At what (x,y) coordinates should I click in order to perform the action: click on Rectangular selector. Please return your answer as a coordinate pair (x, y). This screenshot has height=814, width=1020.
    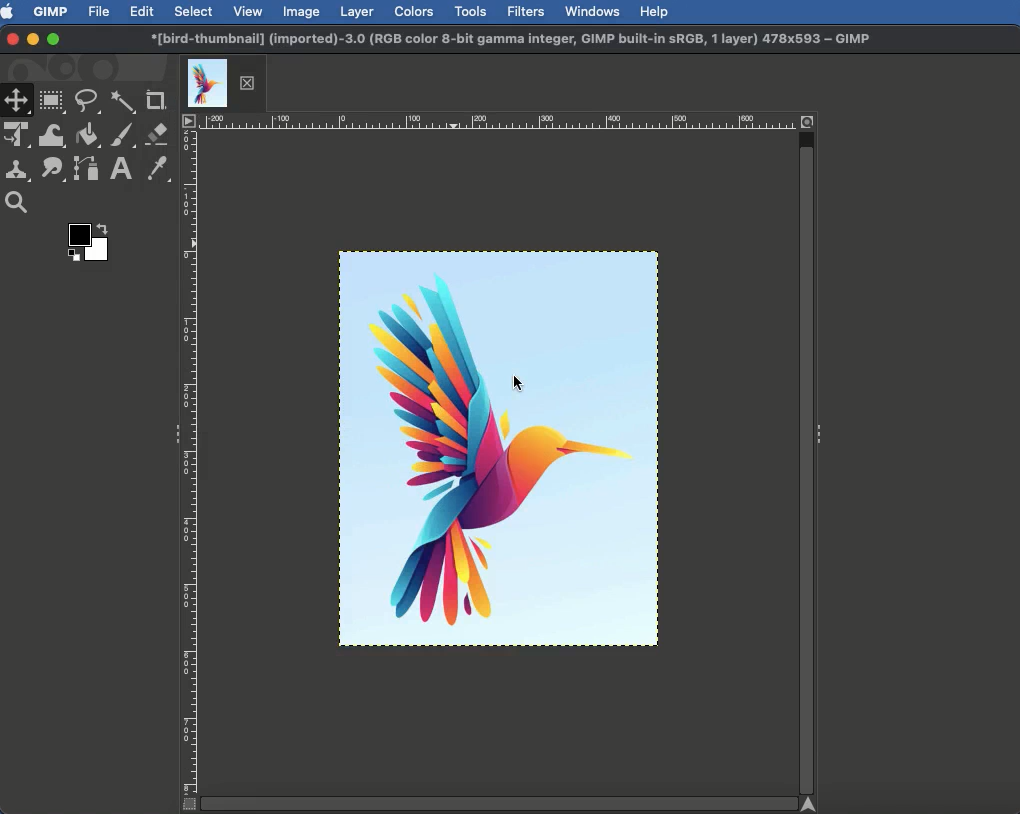
    Looking at the image, I should click on (52, 101).